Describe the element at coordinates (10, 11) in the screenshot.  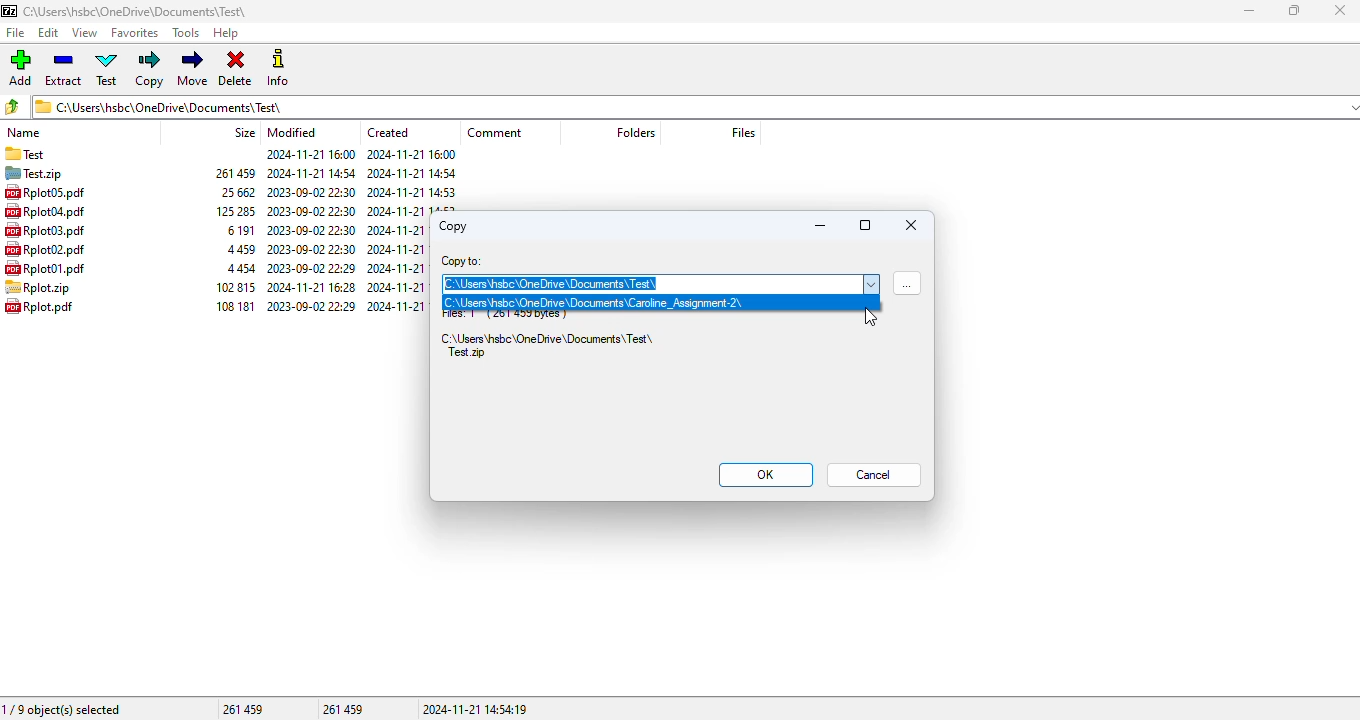
I see `logo` at that location.